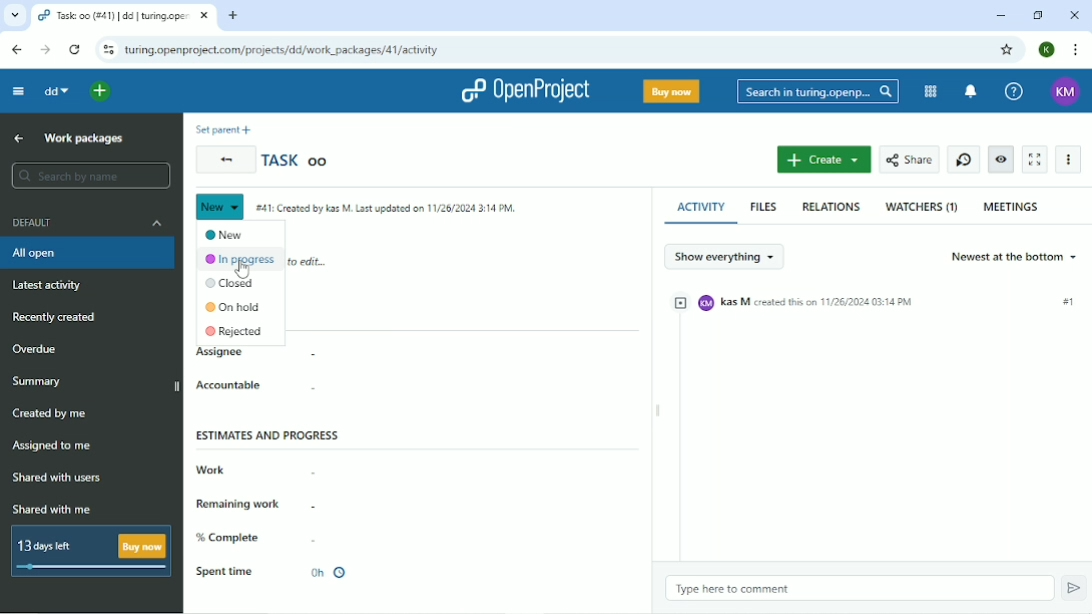 The width and height of the screenshot is (1092, 614). Describe the element at coordinates (646, 309) in the screenshot. I see `Vertical scrollbar ` at that location.